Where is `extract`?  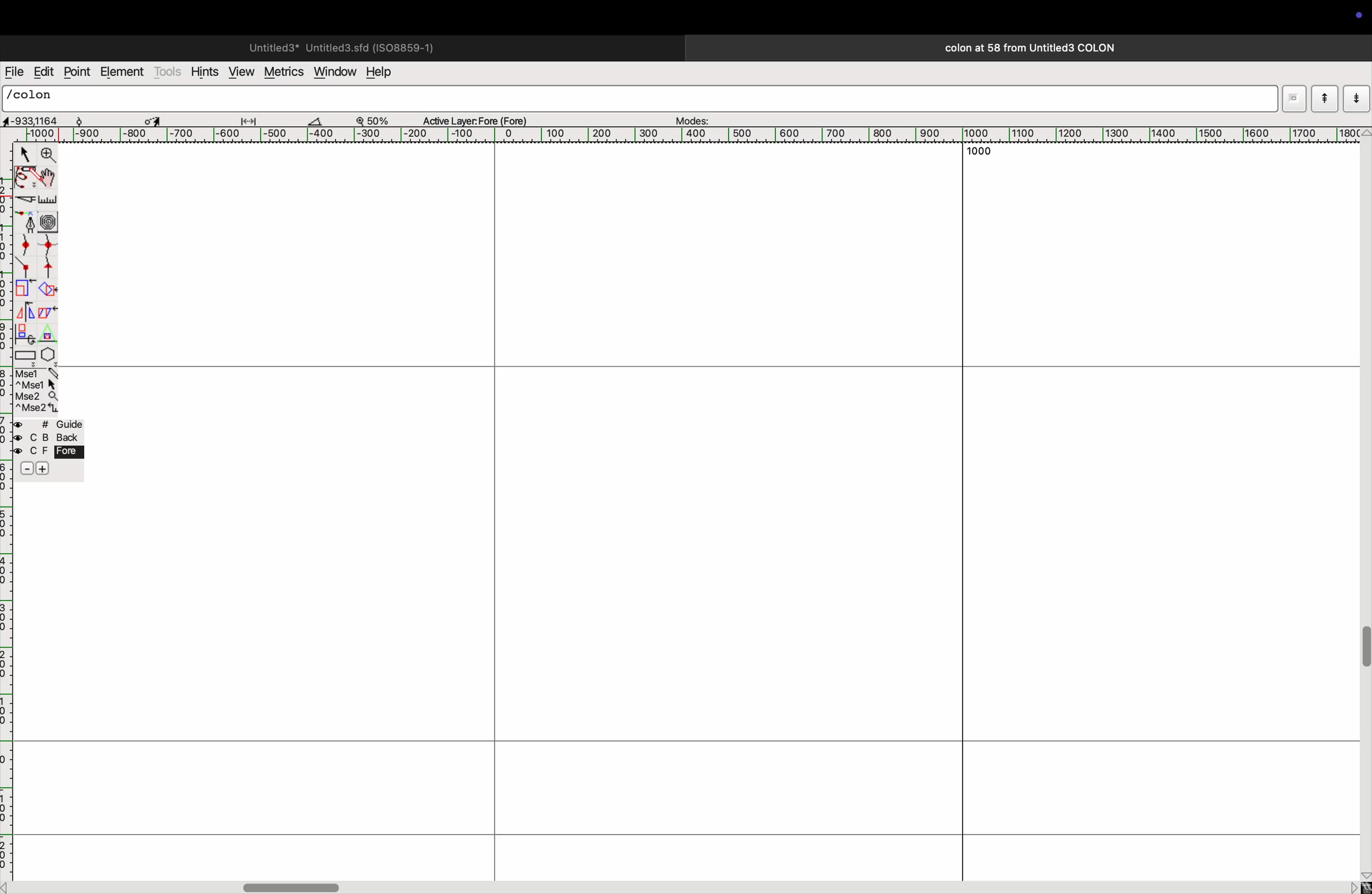 extract is located at coordinates (47, 290).